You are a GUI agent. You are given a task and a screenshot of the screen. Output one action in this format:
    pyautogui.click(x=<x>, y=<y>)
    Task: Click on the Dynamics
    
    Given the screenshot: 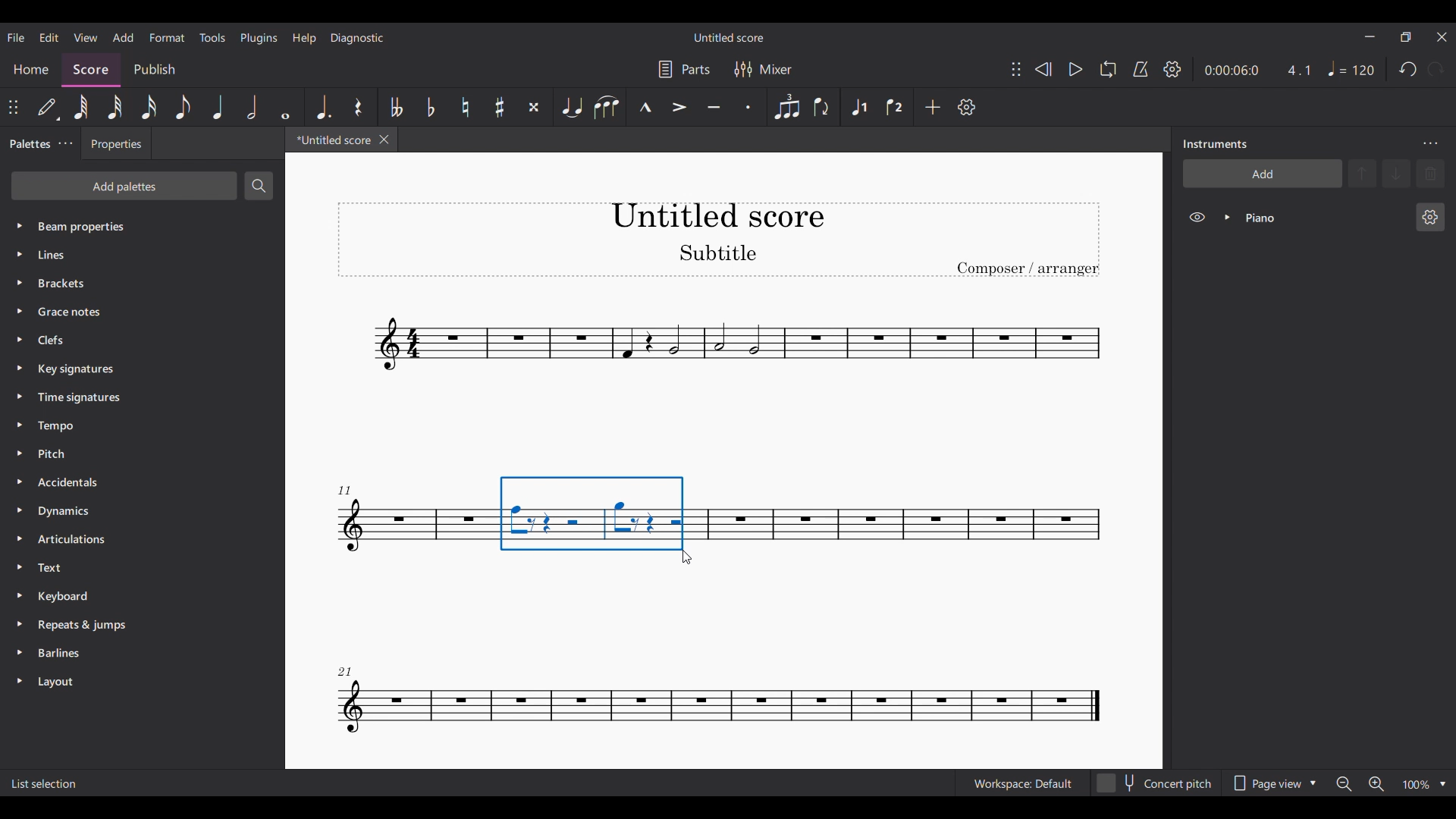 What is the action you would take?
    pyautogui.click(x=127, y=513)
    